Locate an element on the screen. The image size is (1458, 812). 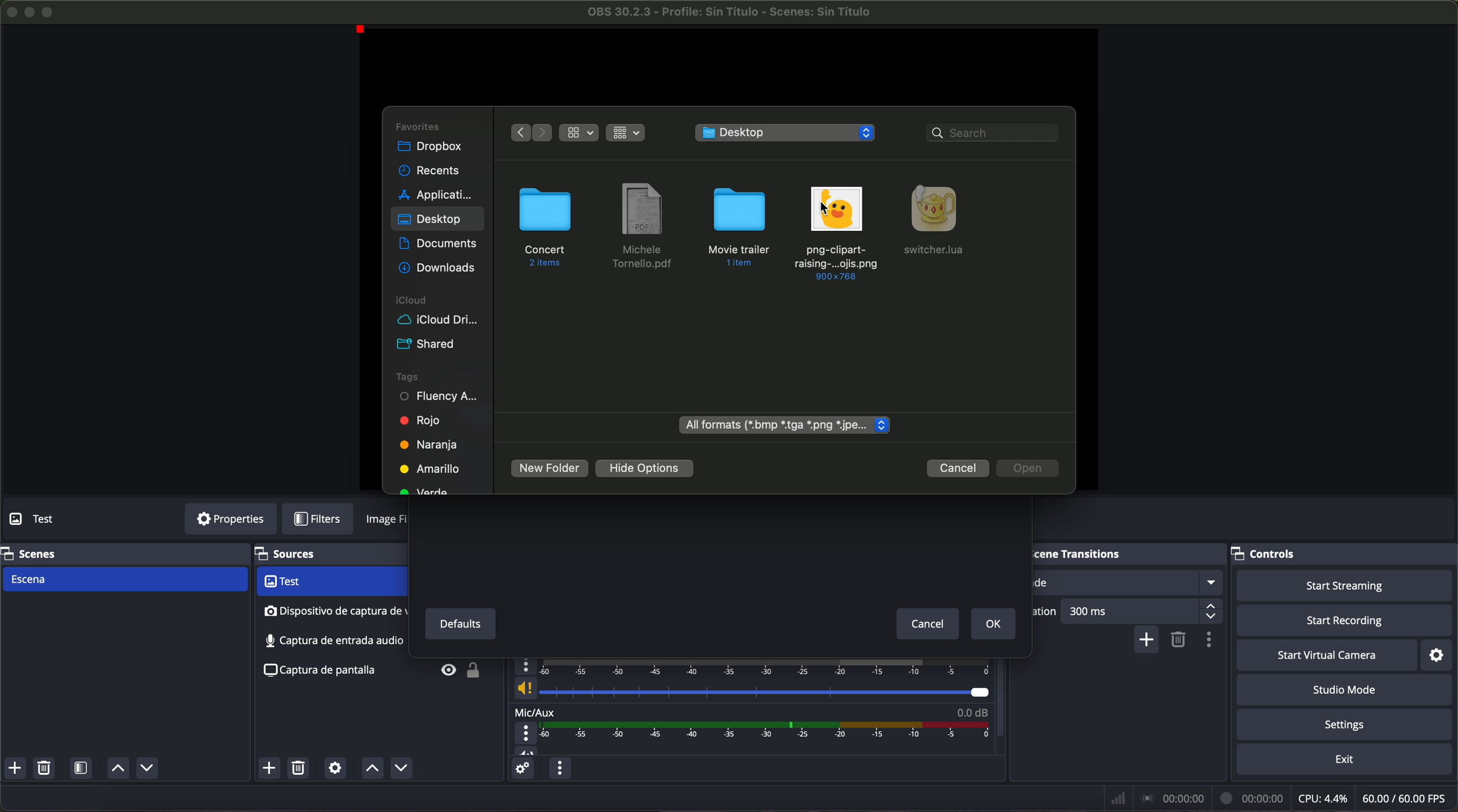
folder is located at coordinates (737, 227).